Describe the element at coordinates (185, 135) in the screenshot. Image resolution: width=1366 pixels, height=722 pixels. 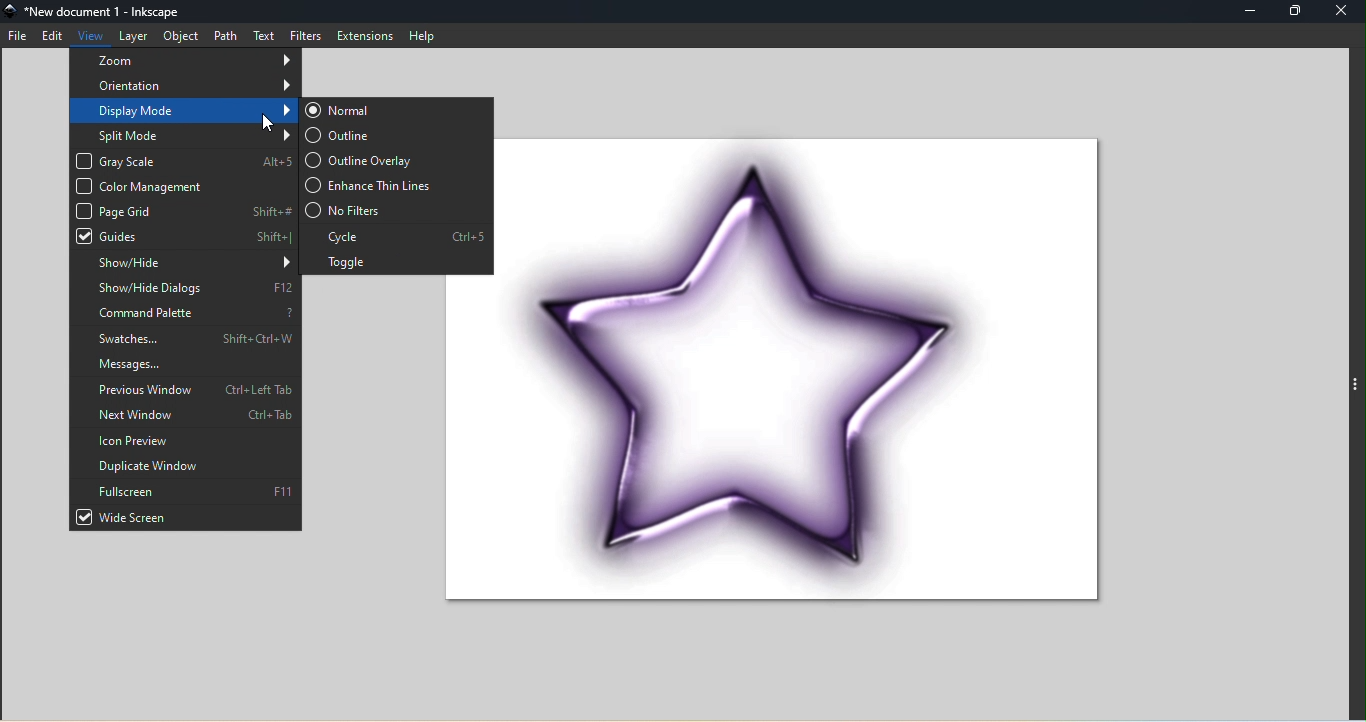
I see `Split mode` at that location.